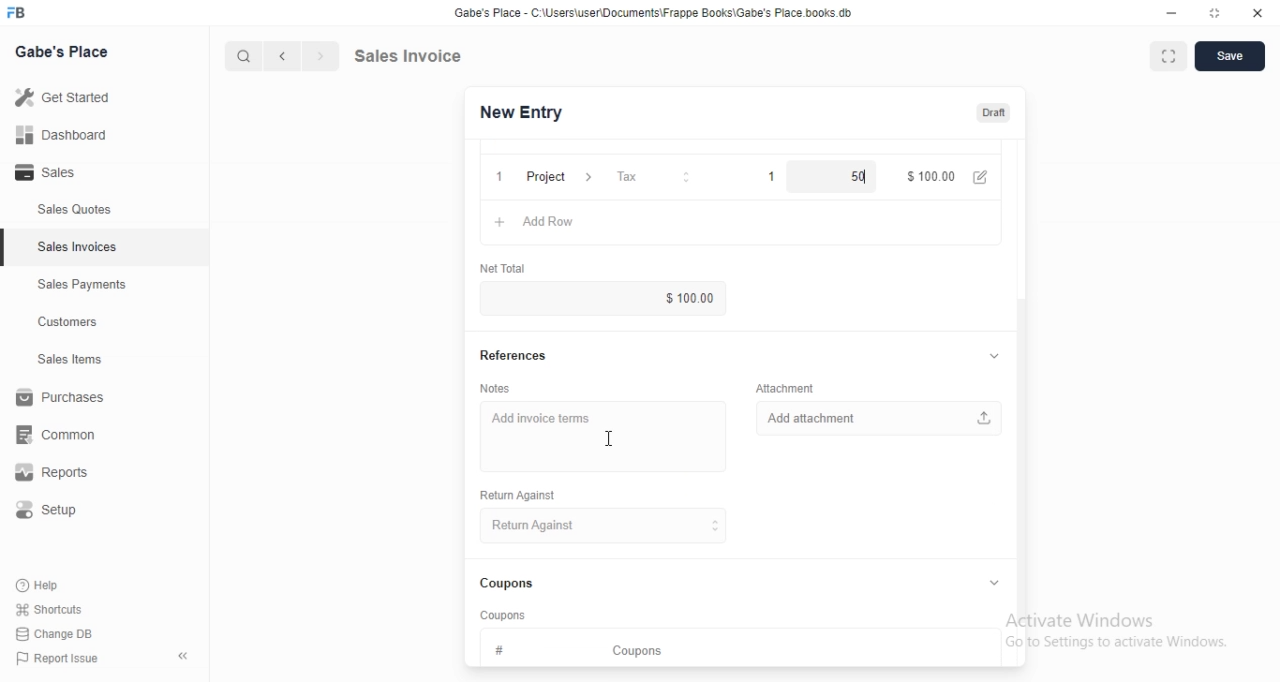 Image resolution: width=1280 pixels, height=682 pixels. Describe the element at coordinates (69, 141) in the screenshot. I see `all Dashboard` at that location.